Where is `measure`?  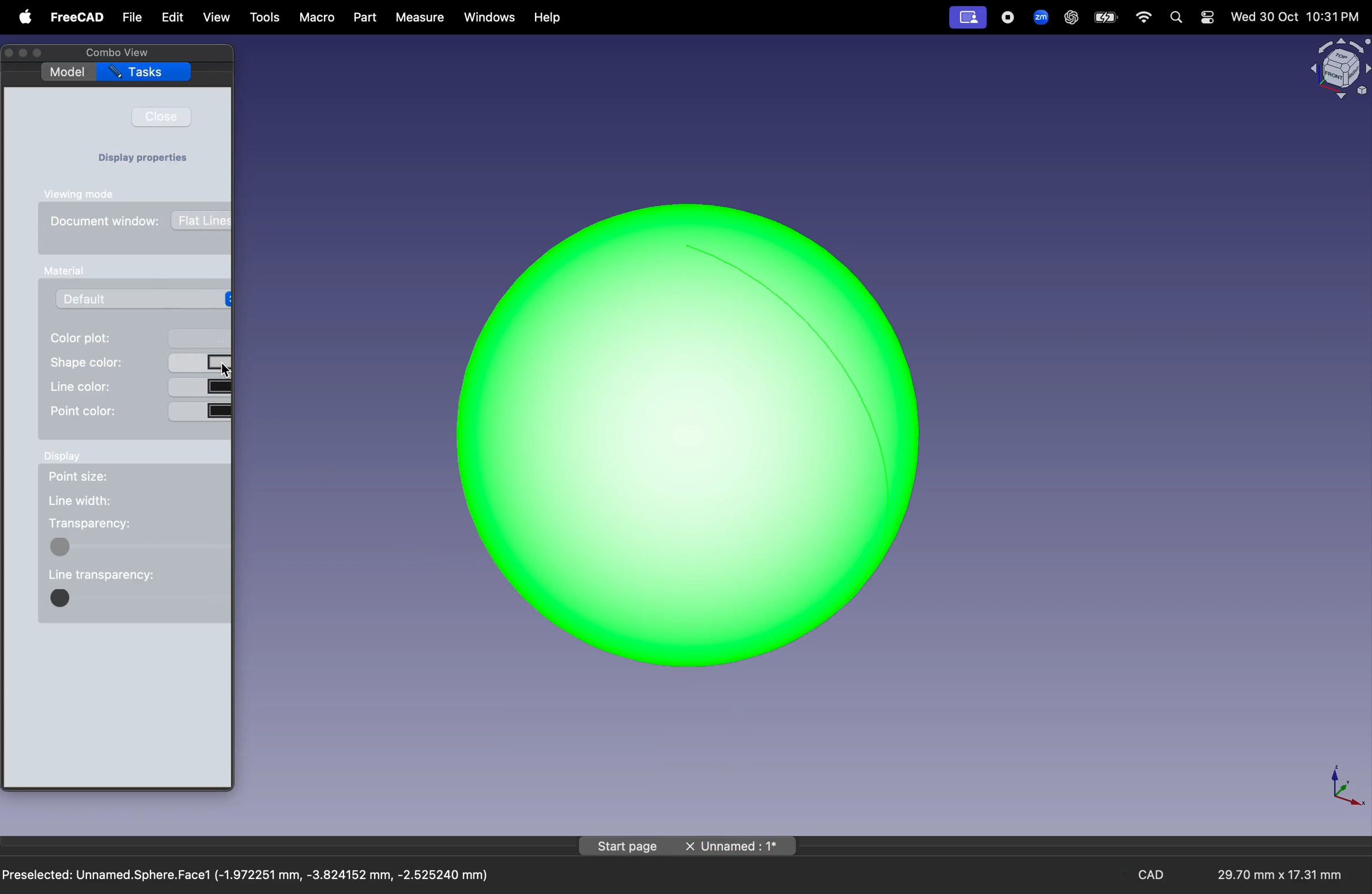 measure is located at coordinates (418, 17).